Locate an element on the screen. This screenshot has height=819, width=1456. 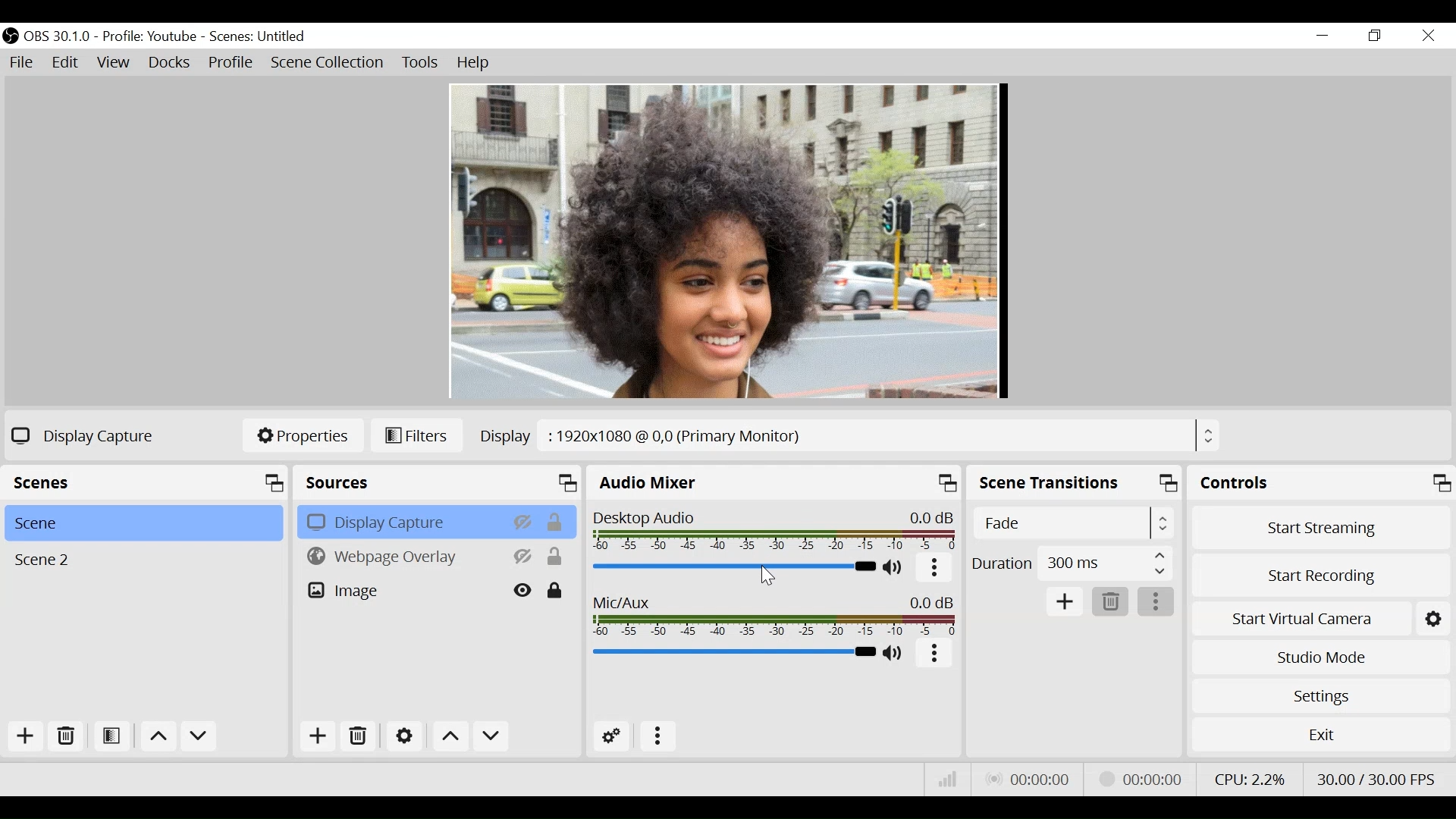
Add  is located at coordinates (1066, 601).